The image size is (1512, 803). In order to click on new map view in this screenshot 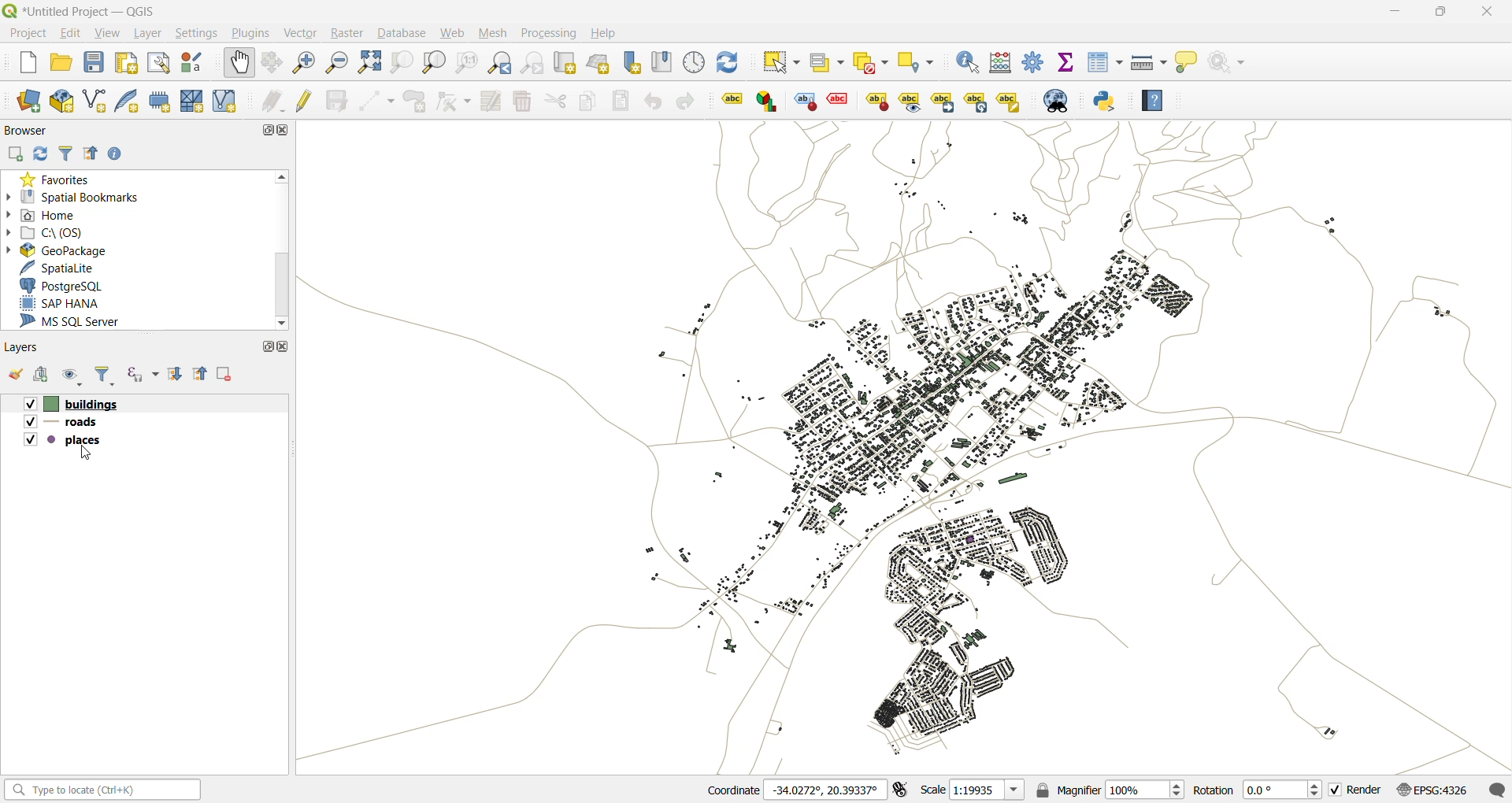, I will do `click(567, 63)`.